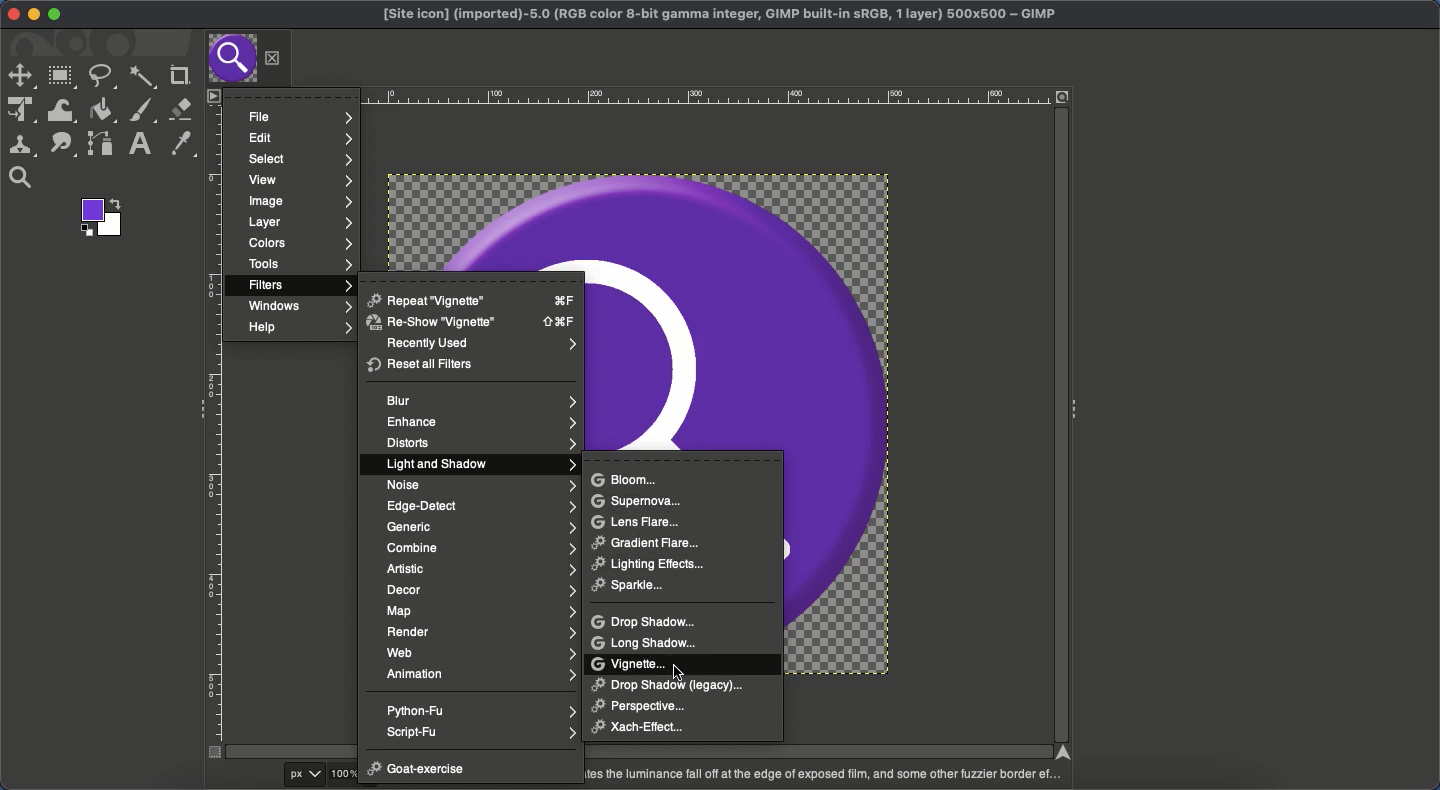 This screenshot has height=790, width=1440. I want to click on Gradient rare, so click(647, 541).